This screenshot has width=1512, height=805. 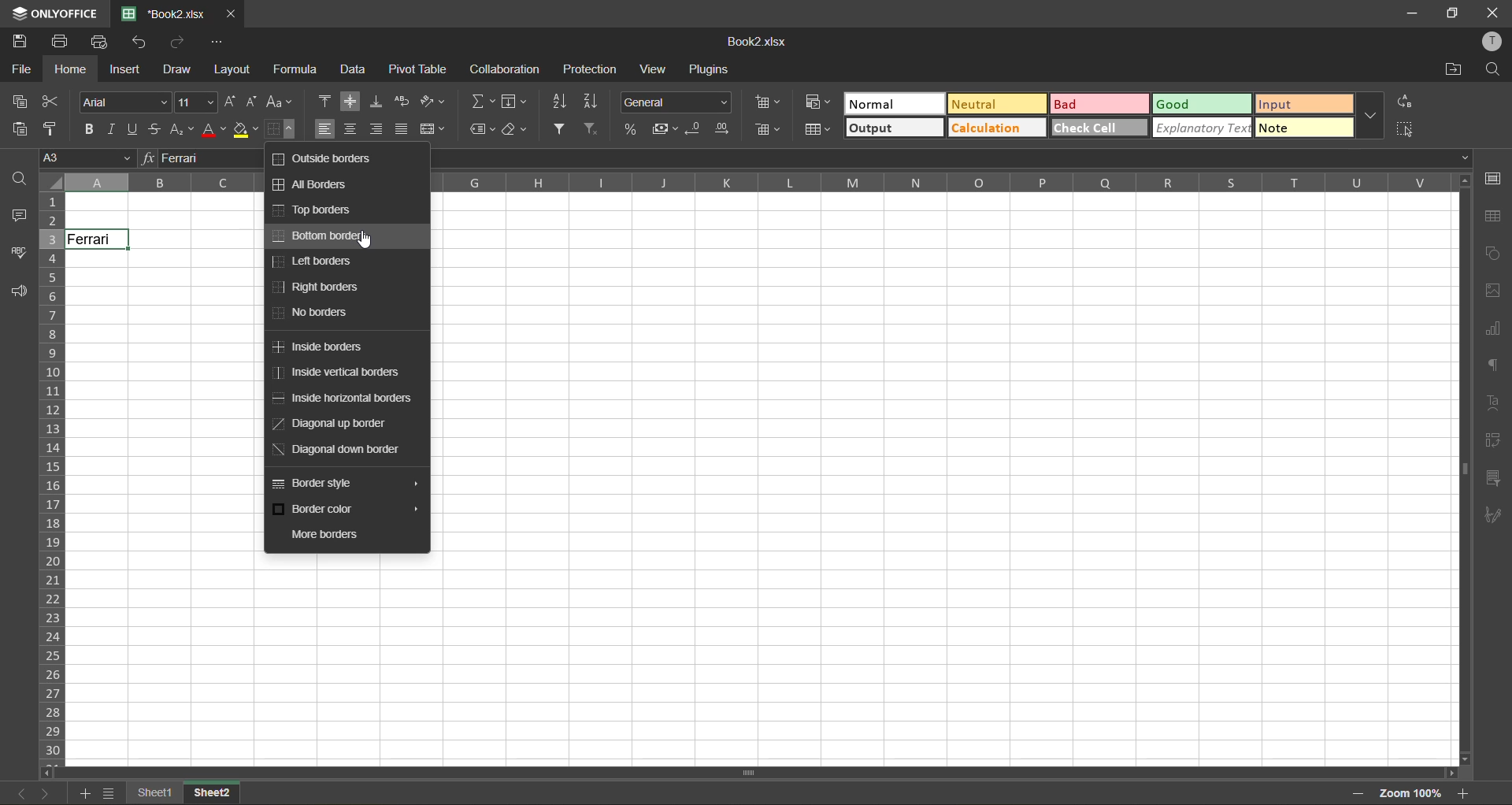 What do you see at coordinates (595, 102) in the screenshot?
I see `sort descending` at bounding box center [595, 102].